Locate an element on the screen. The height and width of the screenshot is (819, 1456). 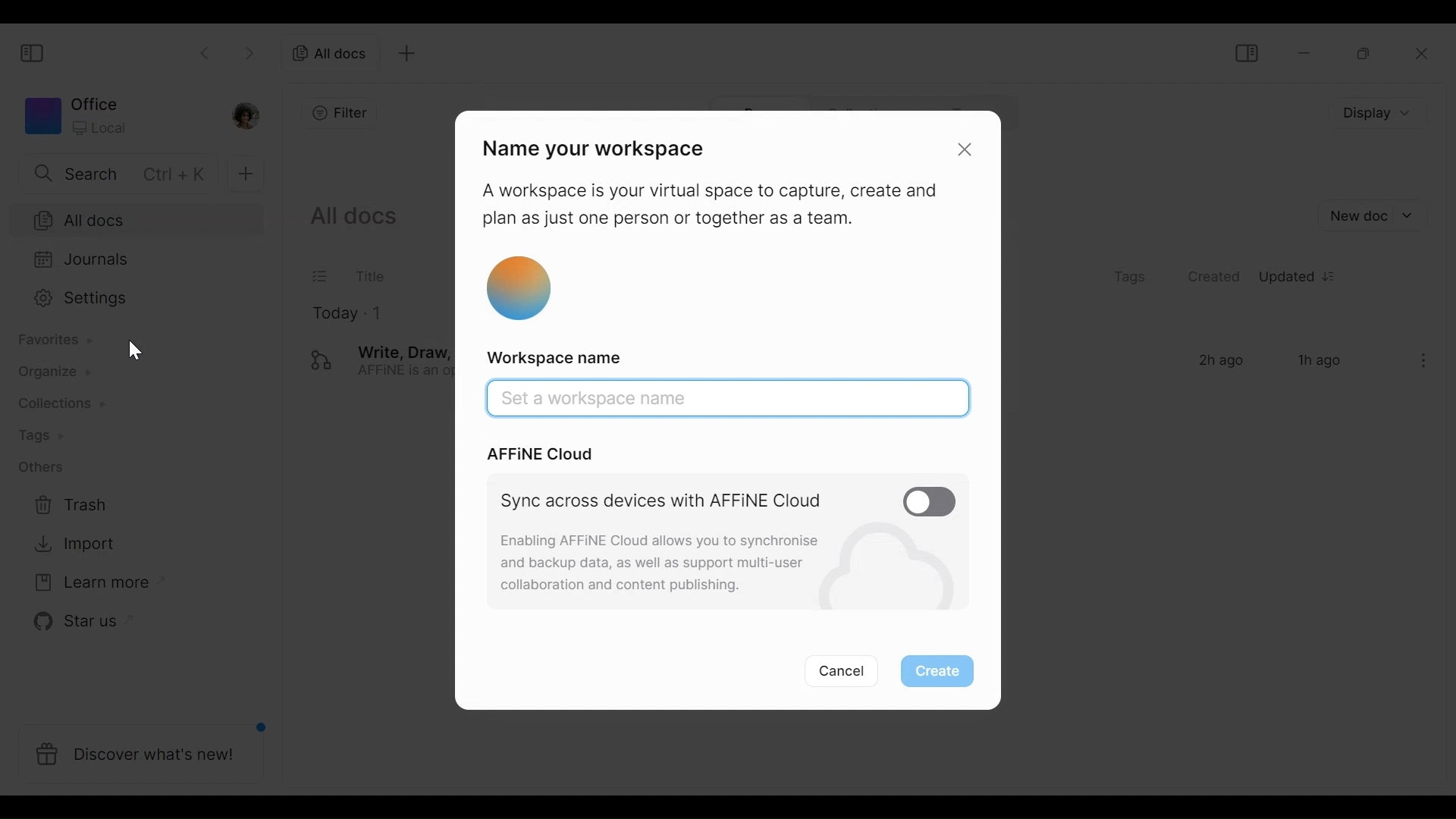
Settings is located at coordinates (130, 299).